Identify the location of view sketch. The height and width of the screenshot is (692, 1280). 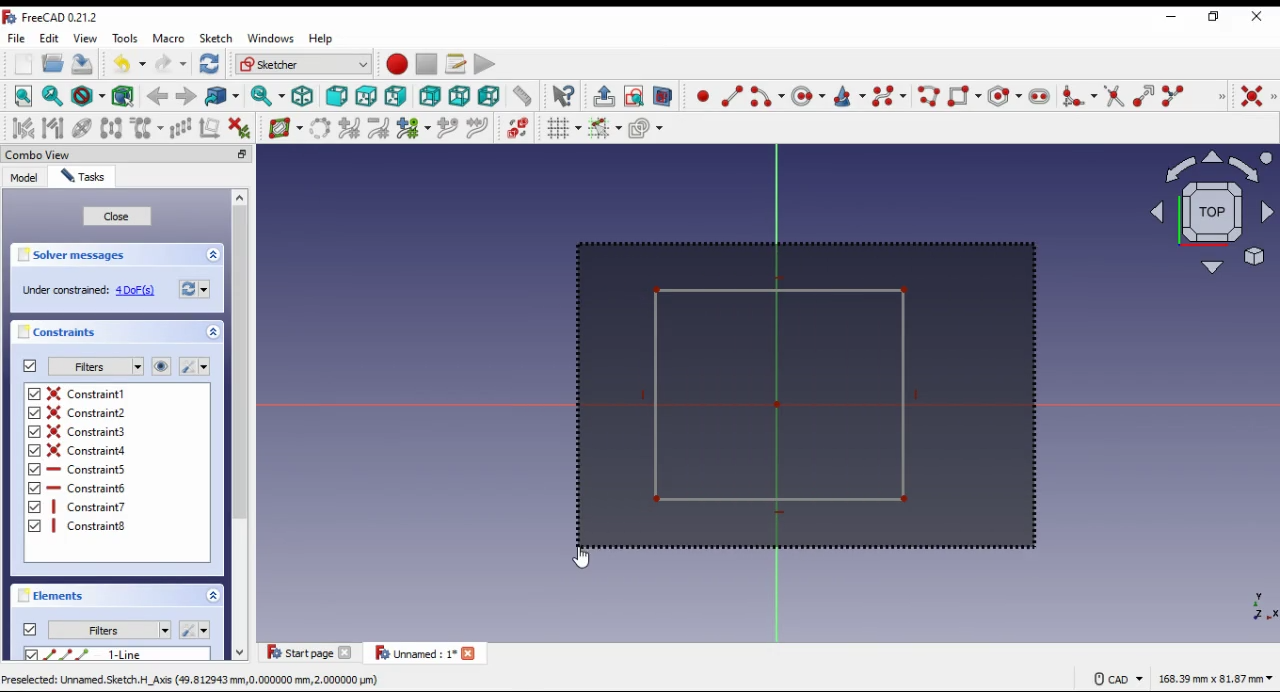
(633, 96).